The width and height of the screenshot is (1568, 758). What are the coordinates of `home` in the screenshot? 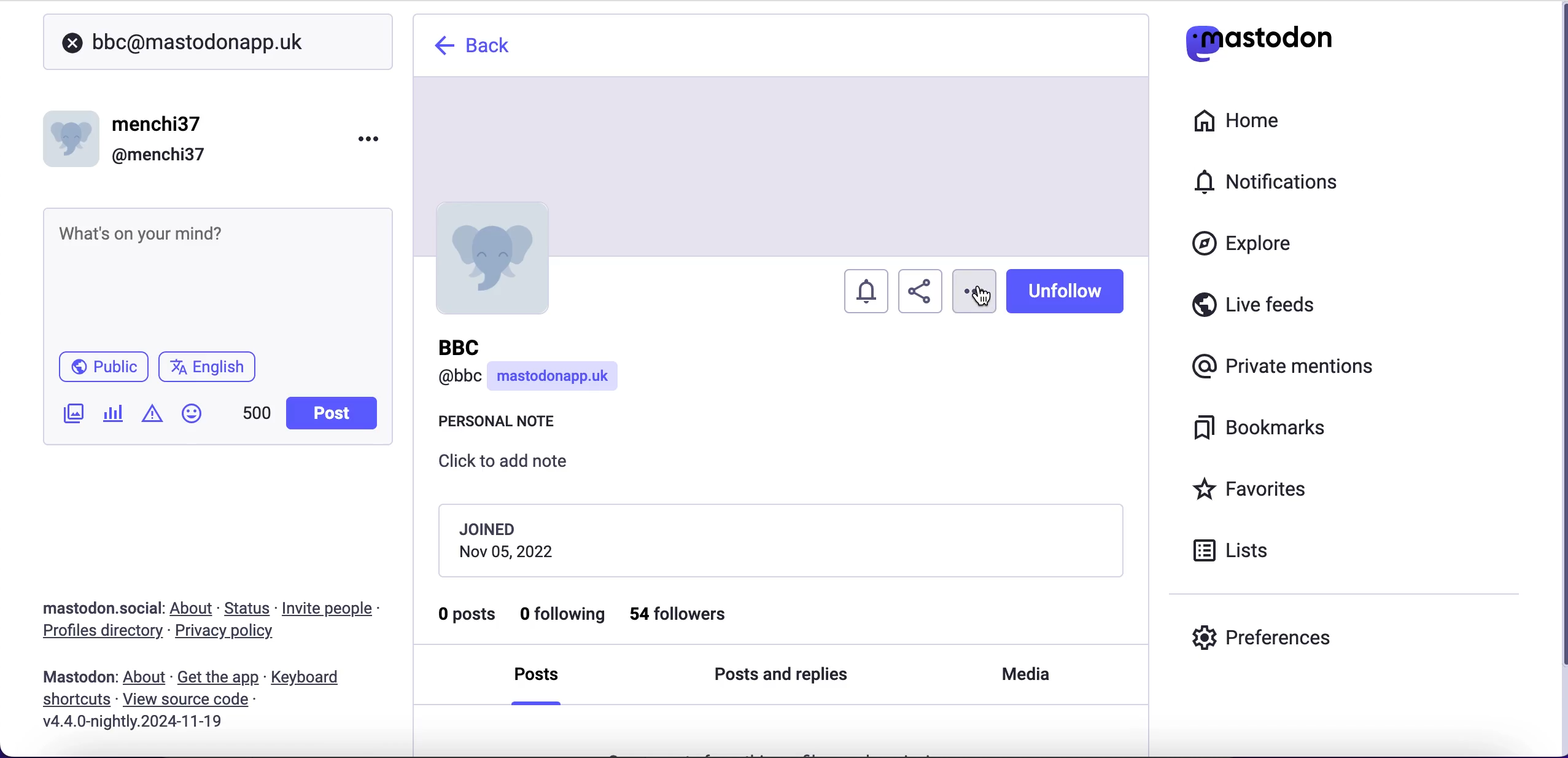 It's located at (1234, 121).